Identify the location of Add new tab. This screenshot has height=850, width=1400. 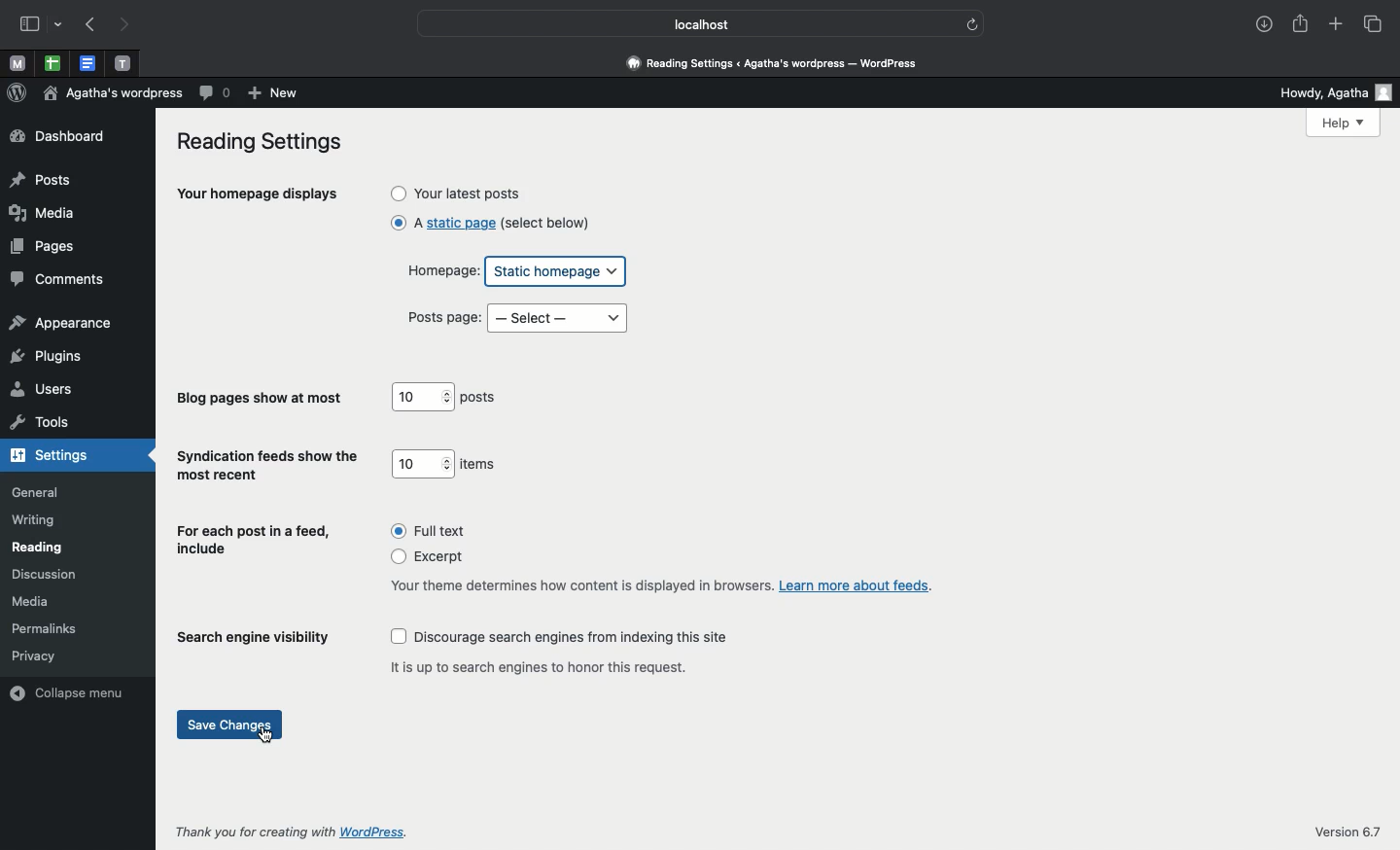
(1336, 21).